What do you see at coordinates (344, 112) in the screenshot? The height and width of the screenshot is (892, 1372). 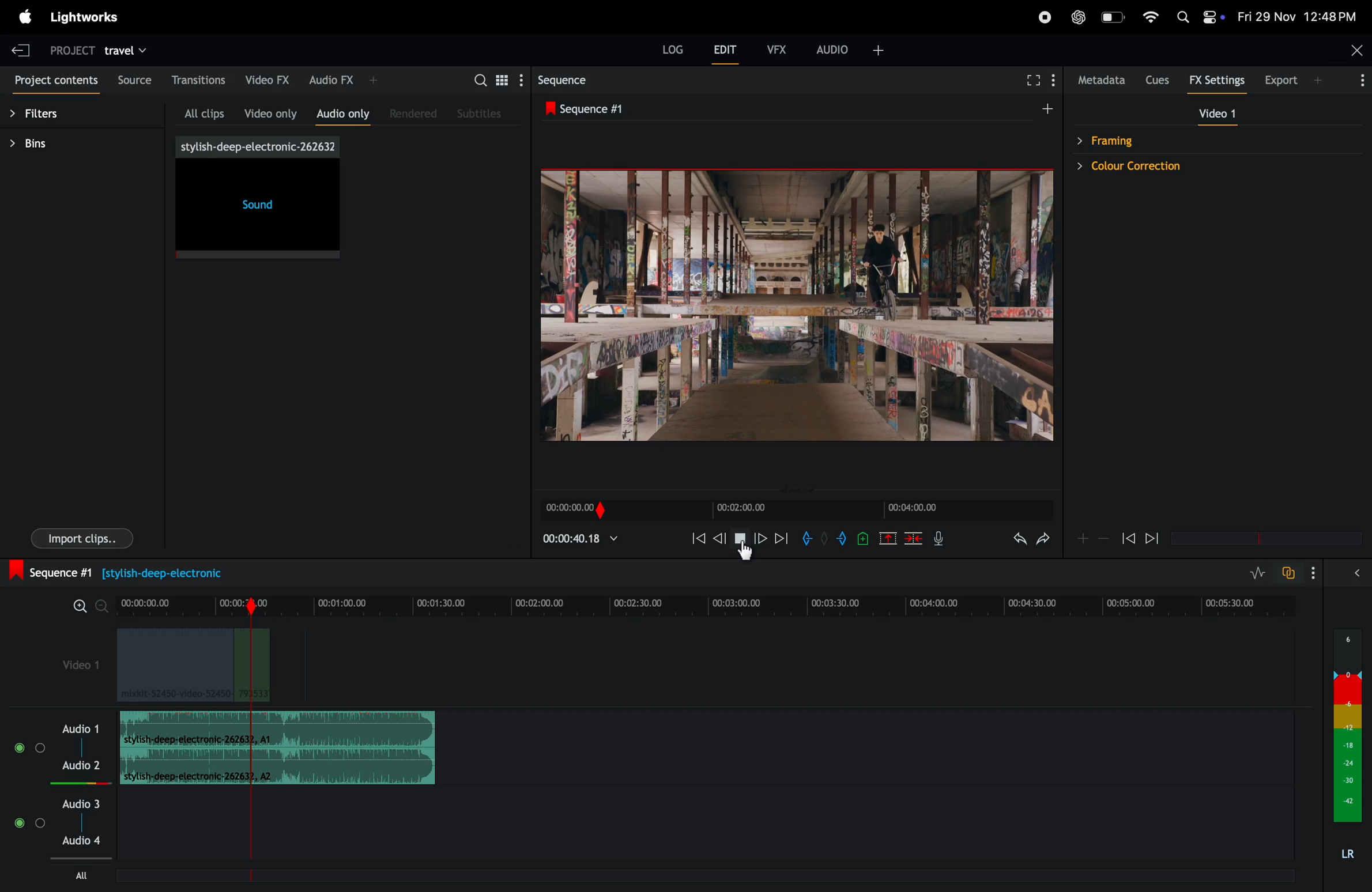 I see `audio only` at bounding box center [344, 112].